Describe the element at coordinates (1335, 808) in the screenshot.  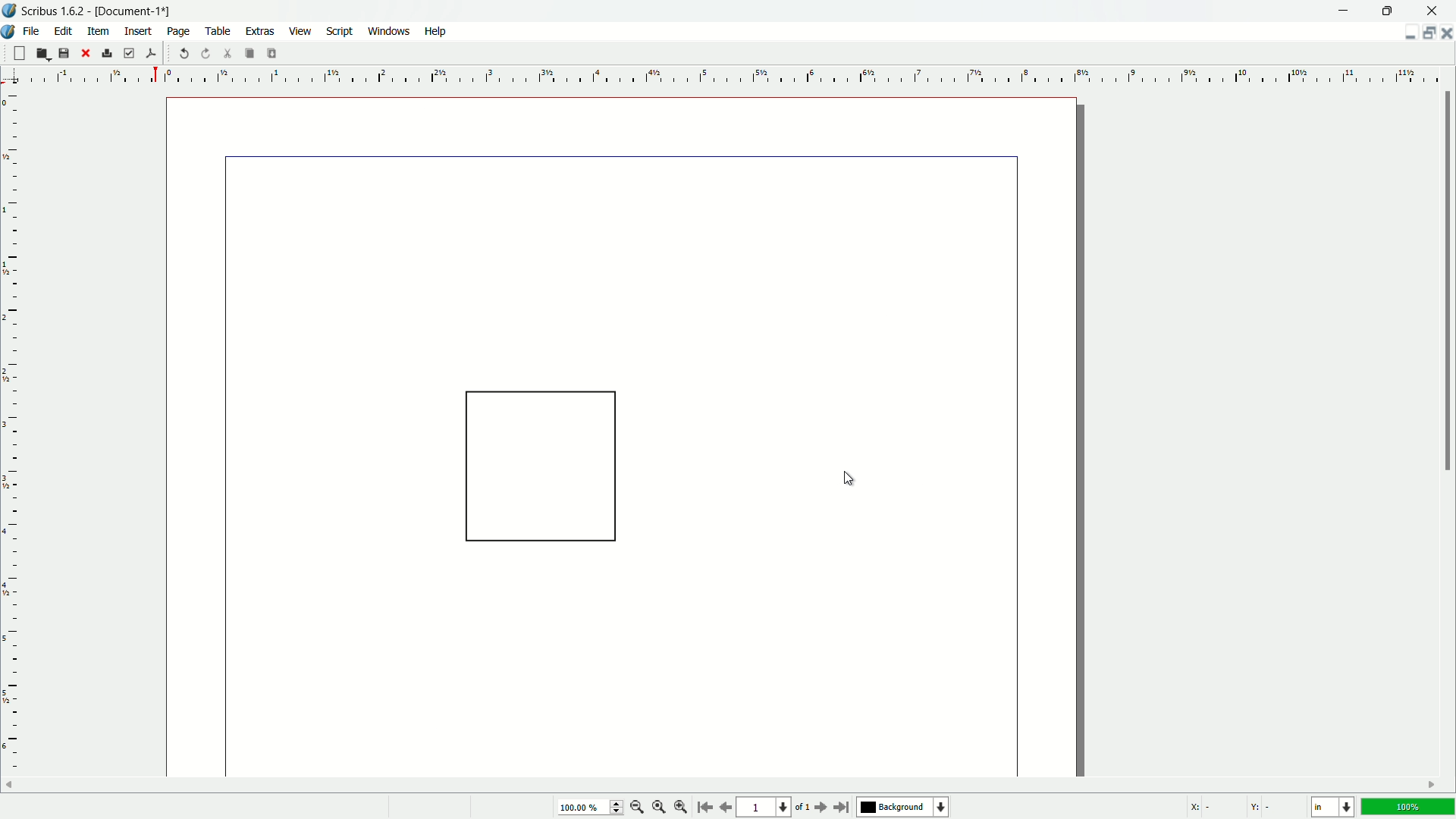
I see `change measuring unit` at that location.